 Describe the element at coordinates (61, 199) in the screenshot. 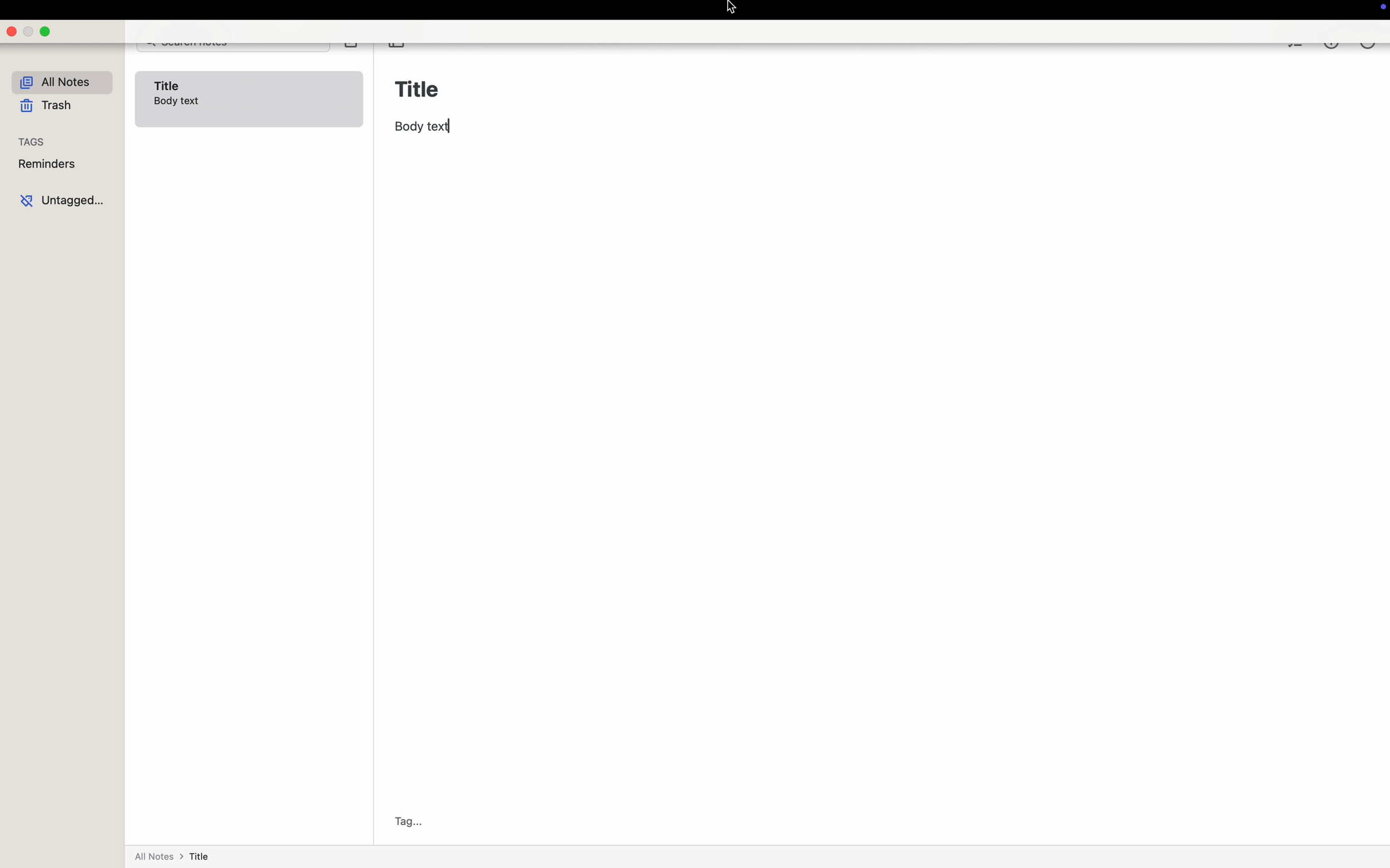

I see `untagged` at that location.